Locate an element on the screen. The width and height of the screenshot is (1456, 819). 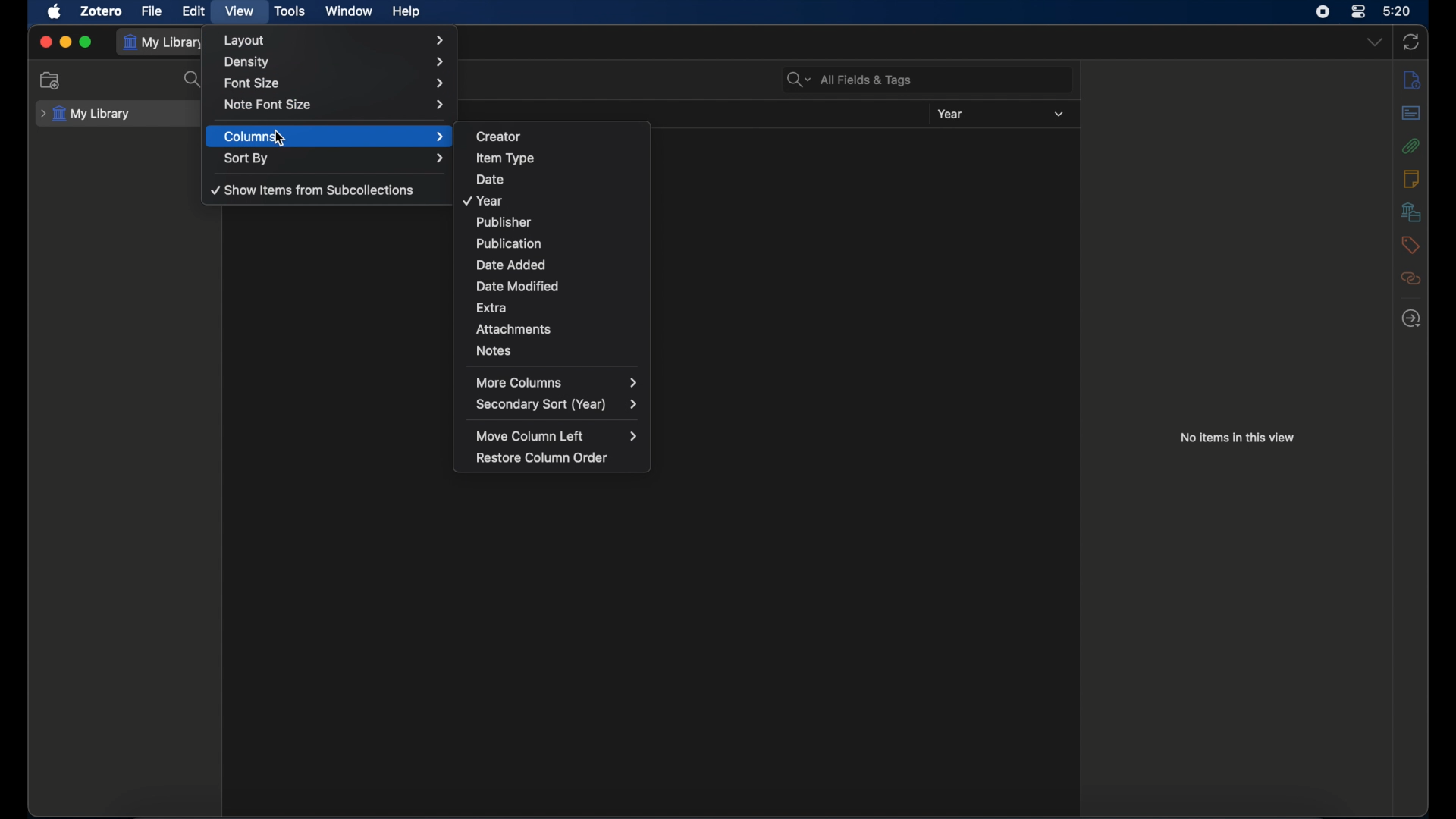
my library is located at coordinates (165, 43).